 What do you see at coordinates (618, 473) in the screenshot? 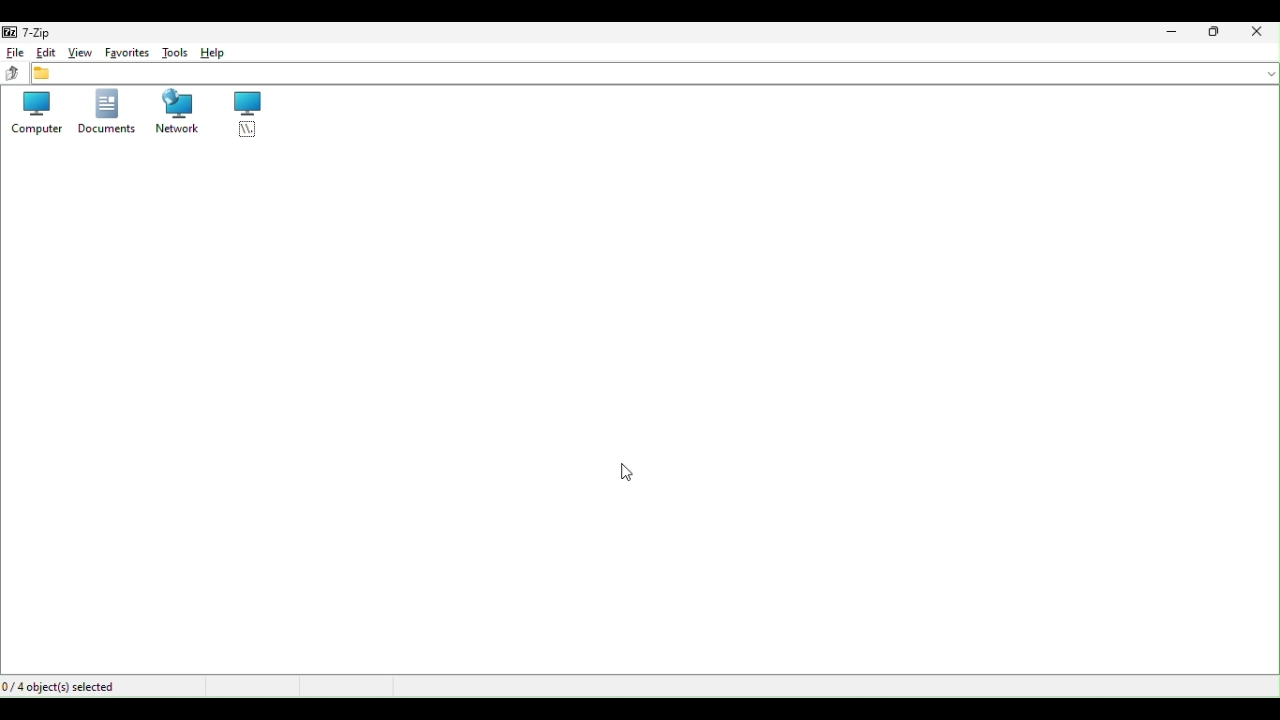
I see `Mouse ` at bounding box center [618, 473].